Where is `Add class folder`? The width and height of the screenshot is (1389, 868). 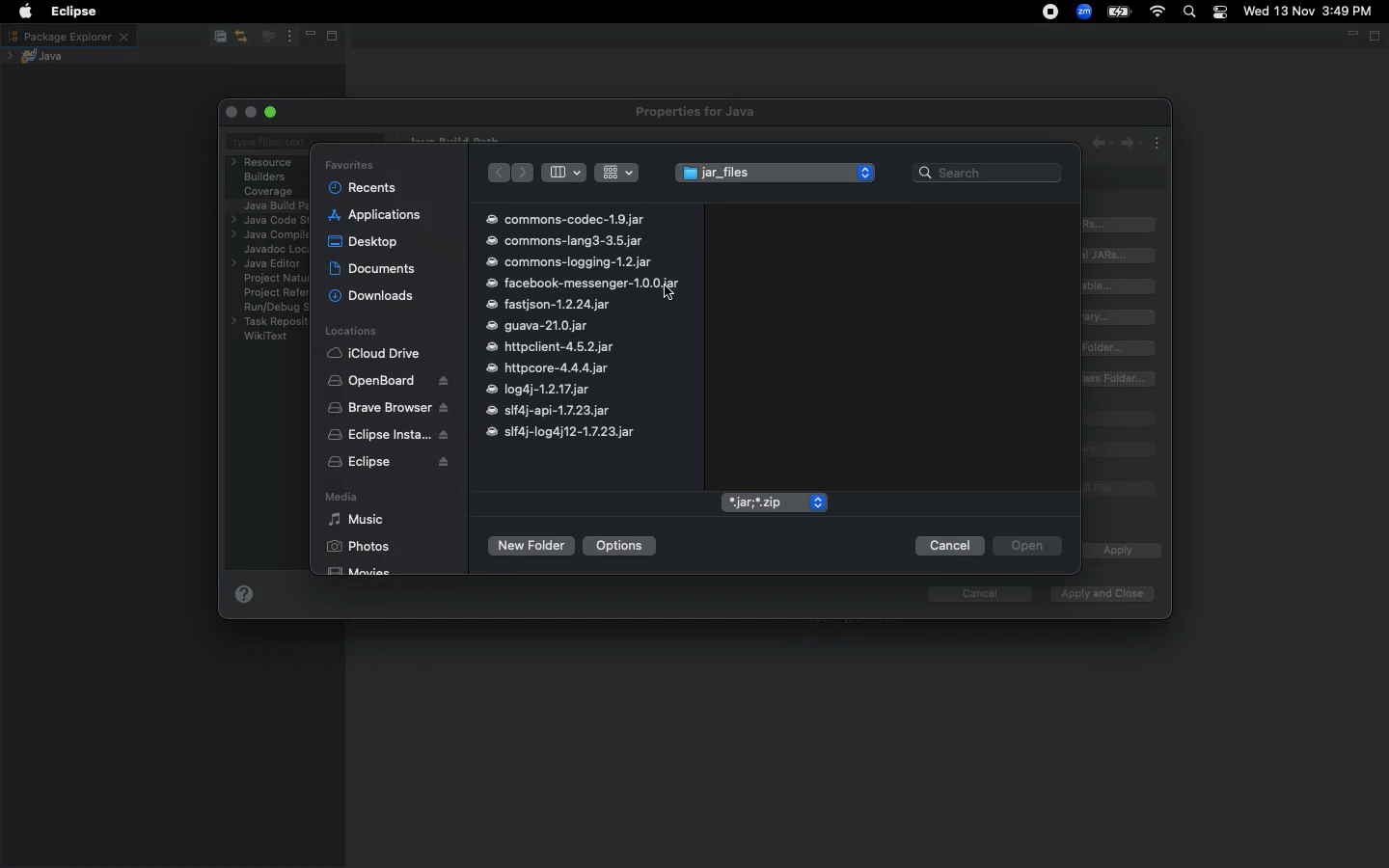 Add class folder is located at coordinates (1121, 348).